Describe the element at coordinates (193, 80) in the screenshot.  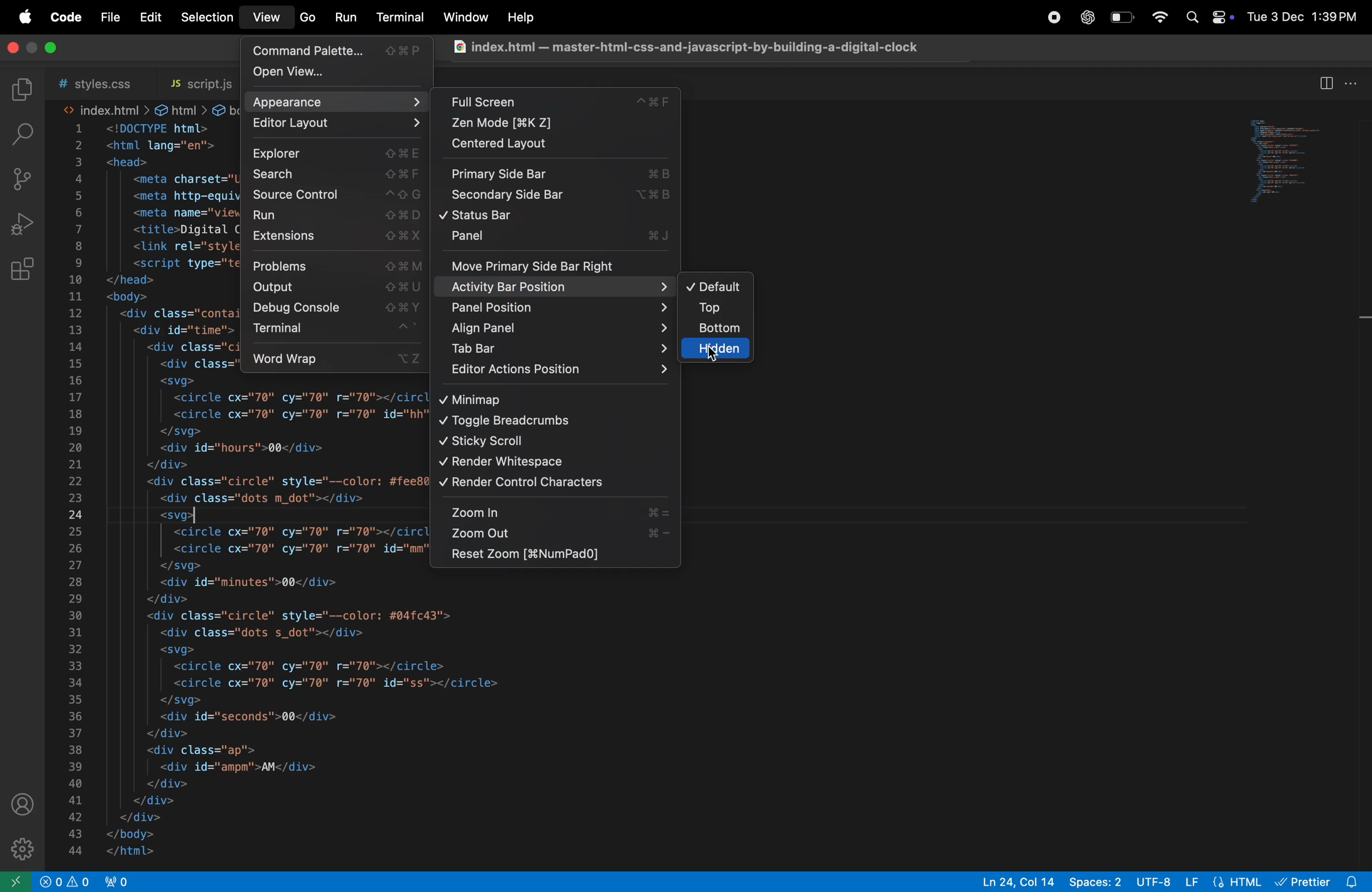
I see `script.js` at that location.